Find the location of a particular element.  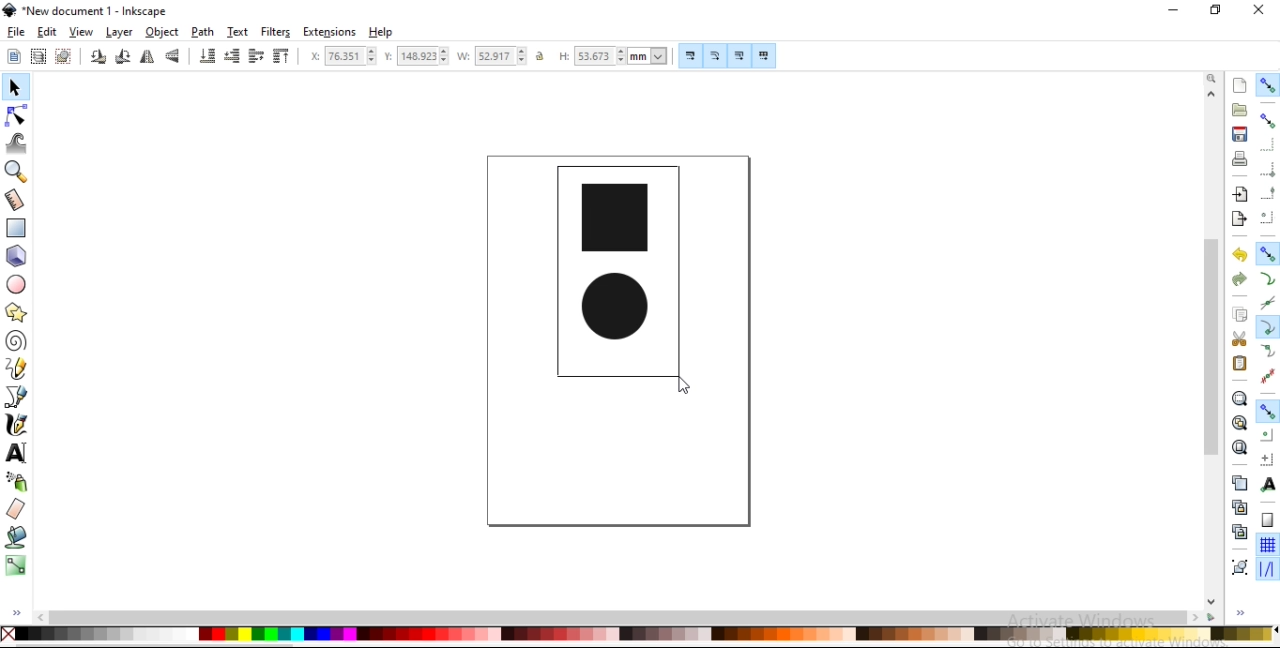

open a existing document is located at coordinates (1241, 109).